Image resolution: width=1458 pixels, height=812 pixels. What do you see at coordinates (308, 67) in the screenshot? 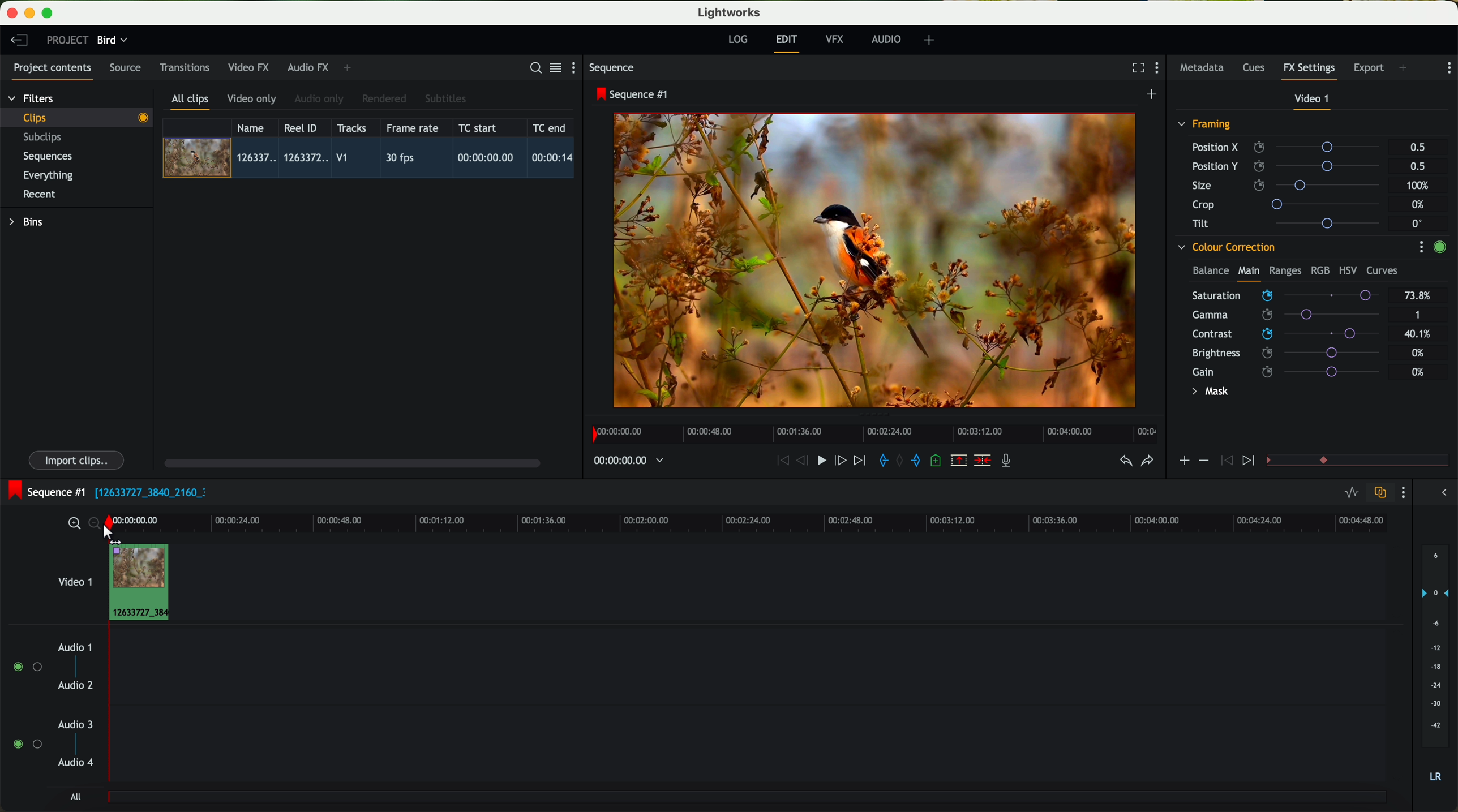
I see `audio FX` at bounding box center [308, 67].